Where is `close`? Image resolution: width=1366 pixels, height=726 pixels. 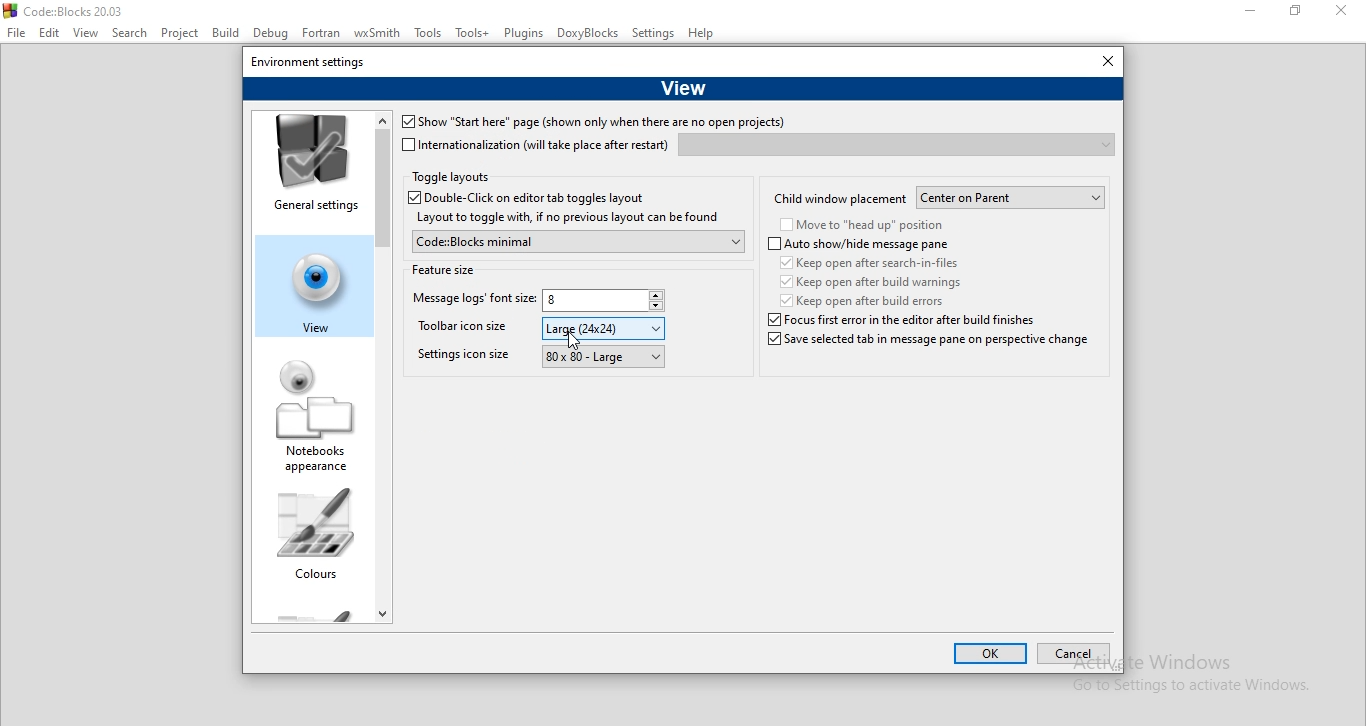 close is located at coordinates (1103, 62).